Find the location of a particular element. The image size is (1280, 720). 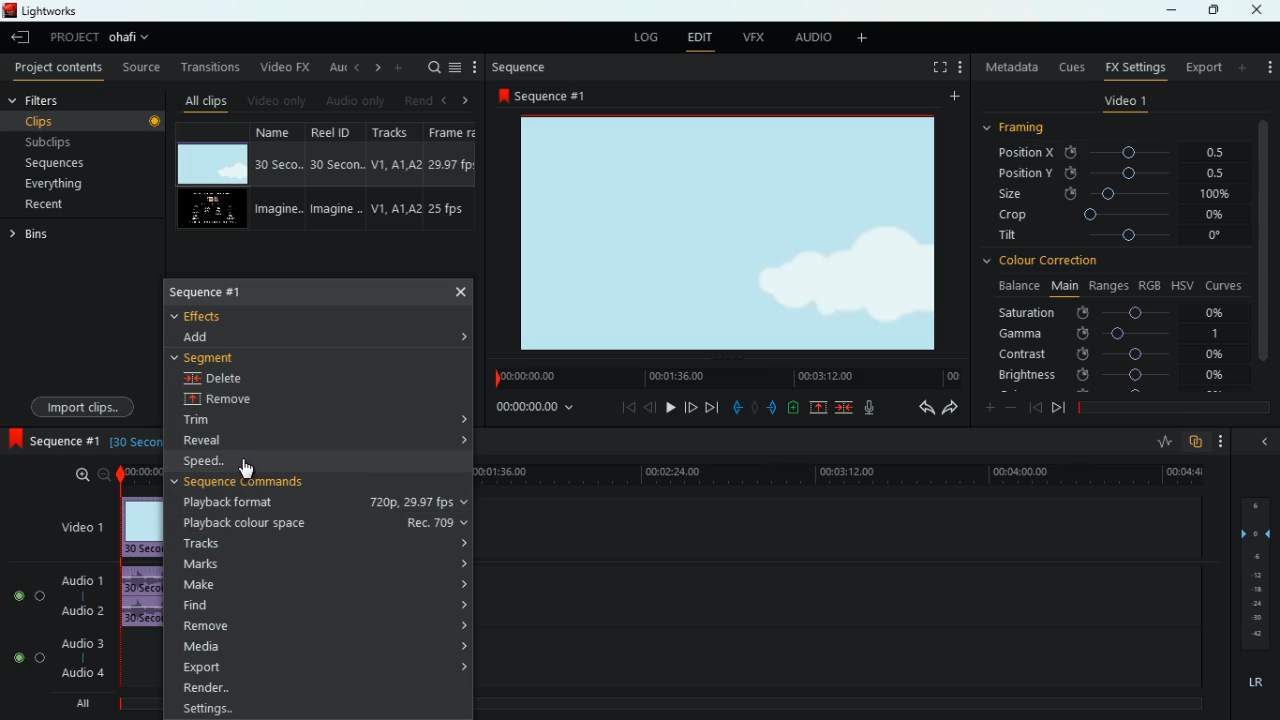

position y is located at coordinates (1115, 173).